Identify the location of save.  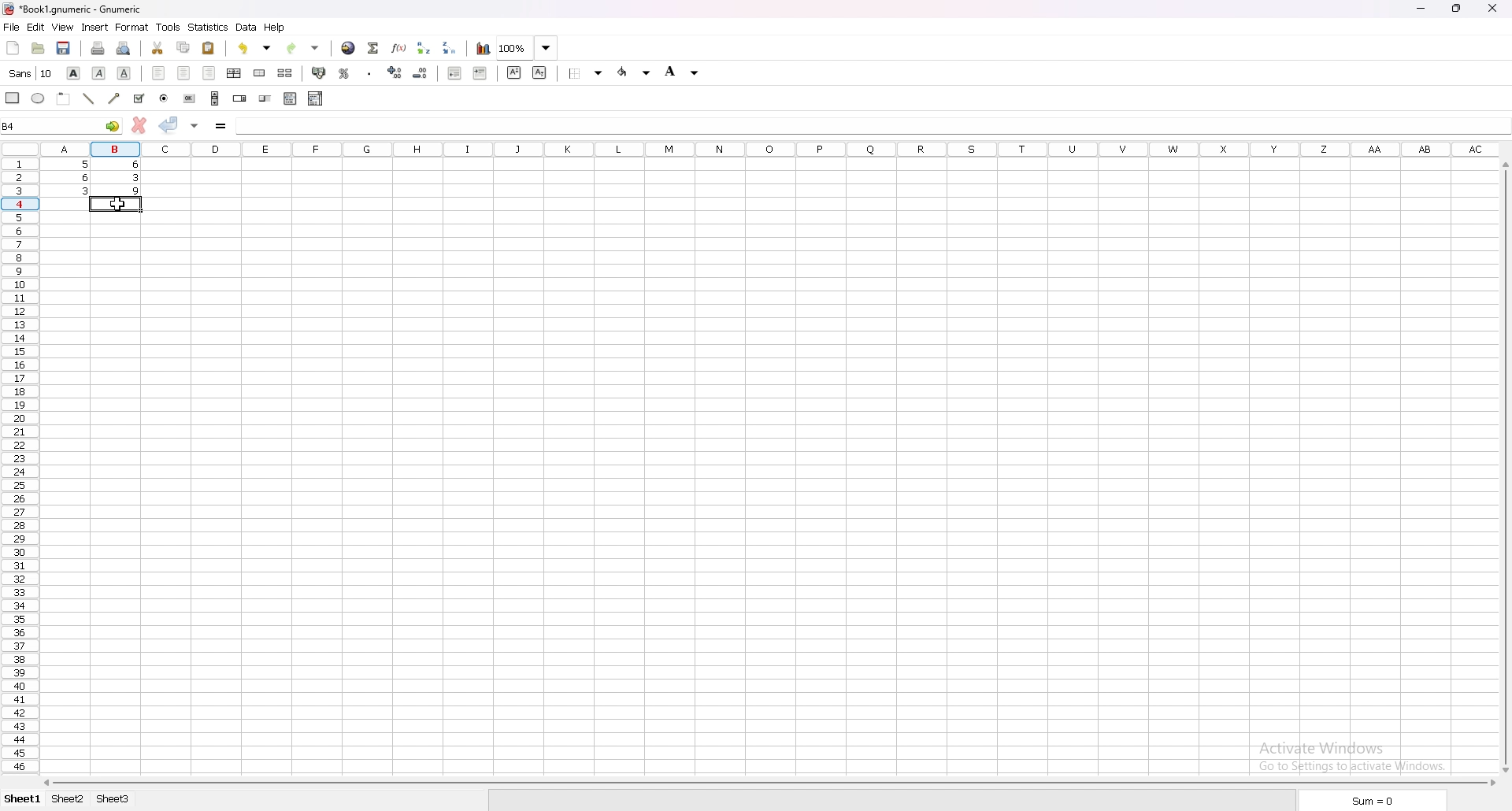
(65, 49).